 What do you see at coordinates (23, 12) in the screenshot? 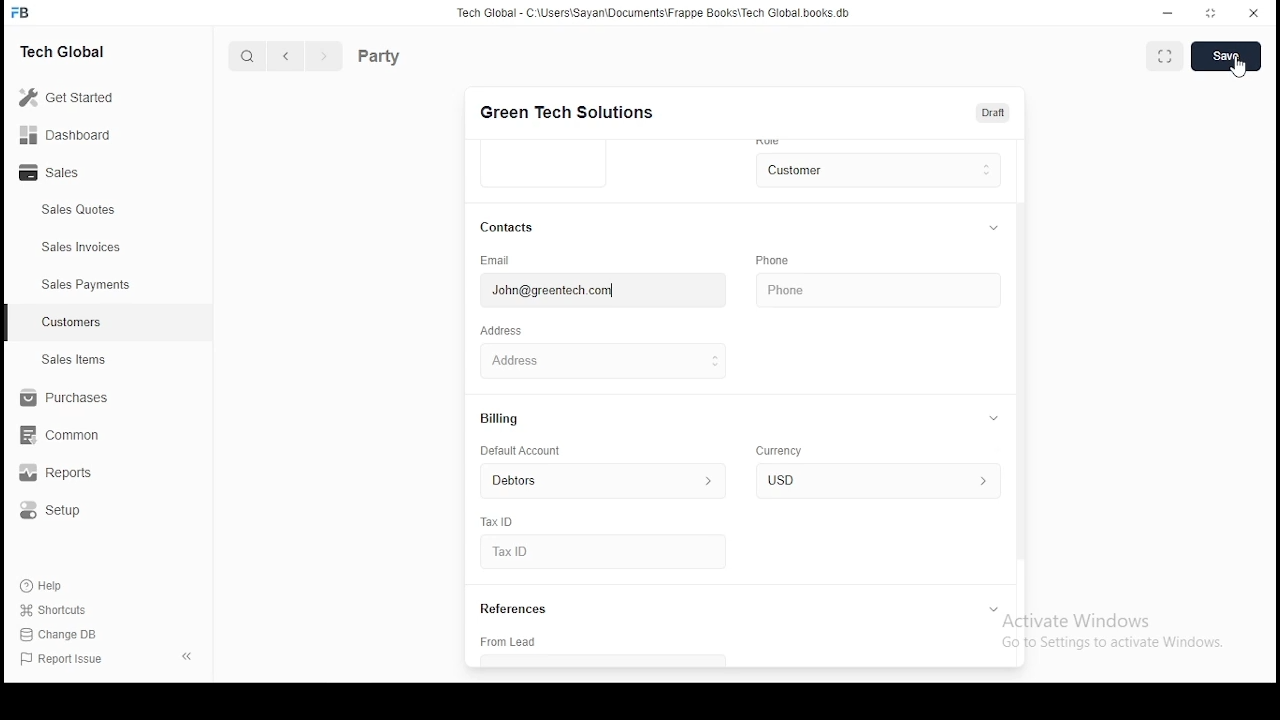
I see `icon` at bounding box center [23, 12].